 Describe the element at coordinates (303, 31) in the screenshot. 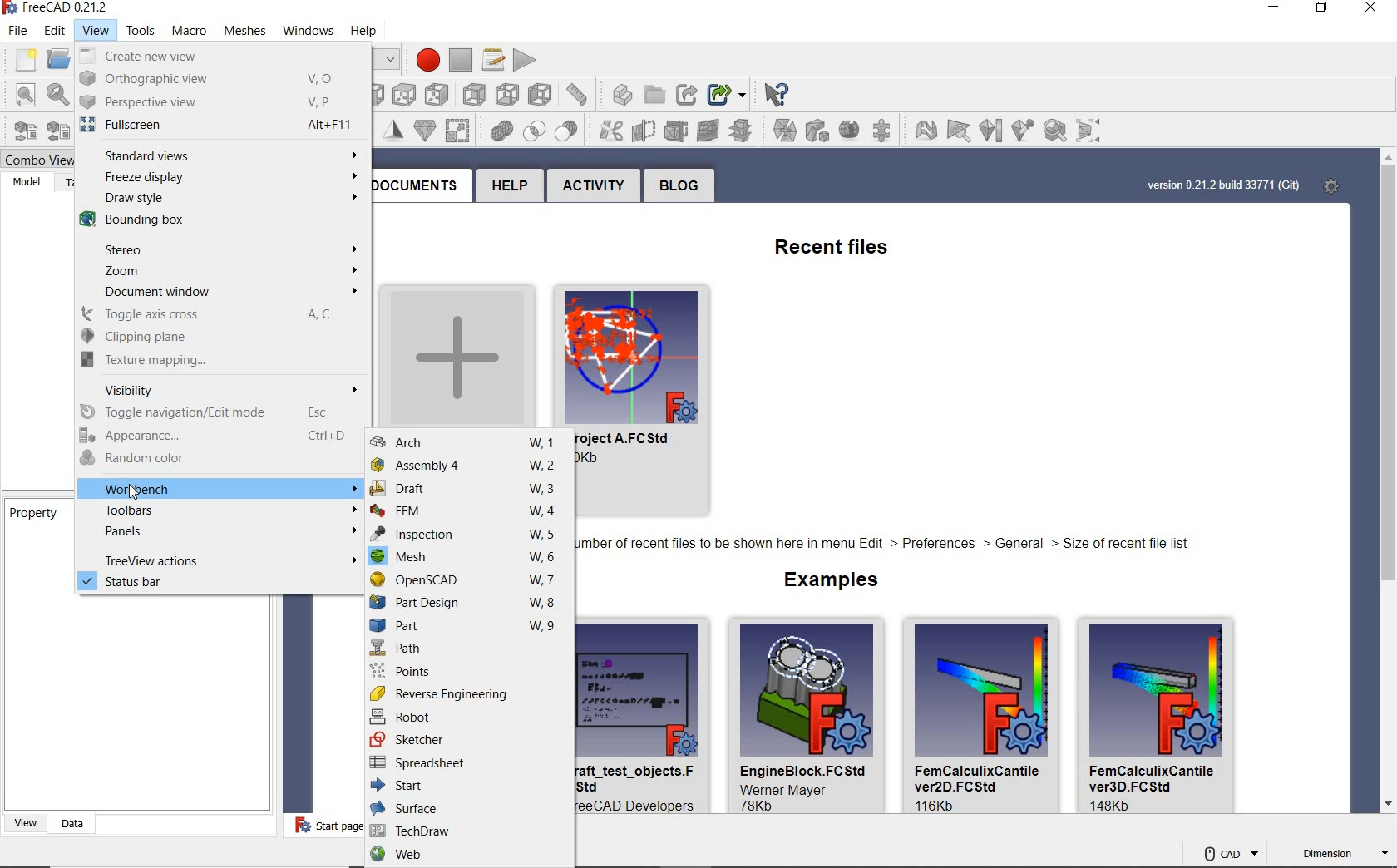

I see `windows` at that location.